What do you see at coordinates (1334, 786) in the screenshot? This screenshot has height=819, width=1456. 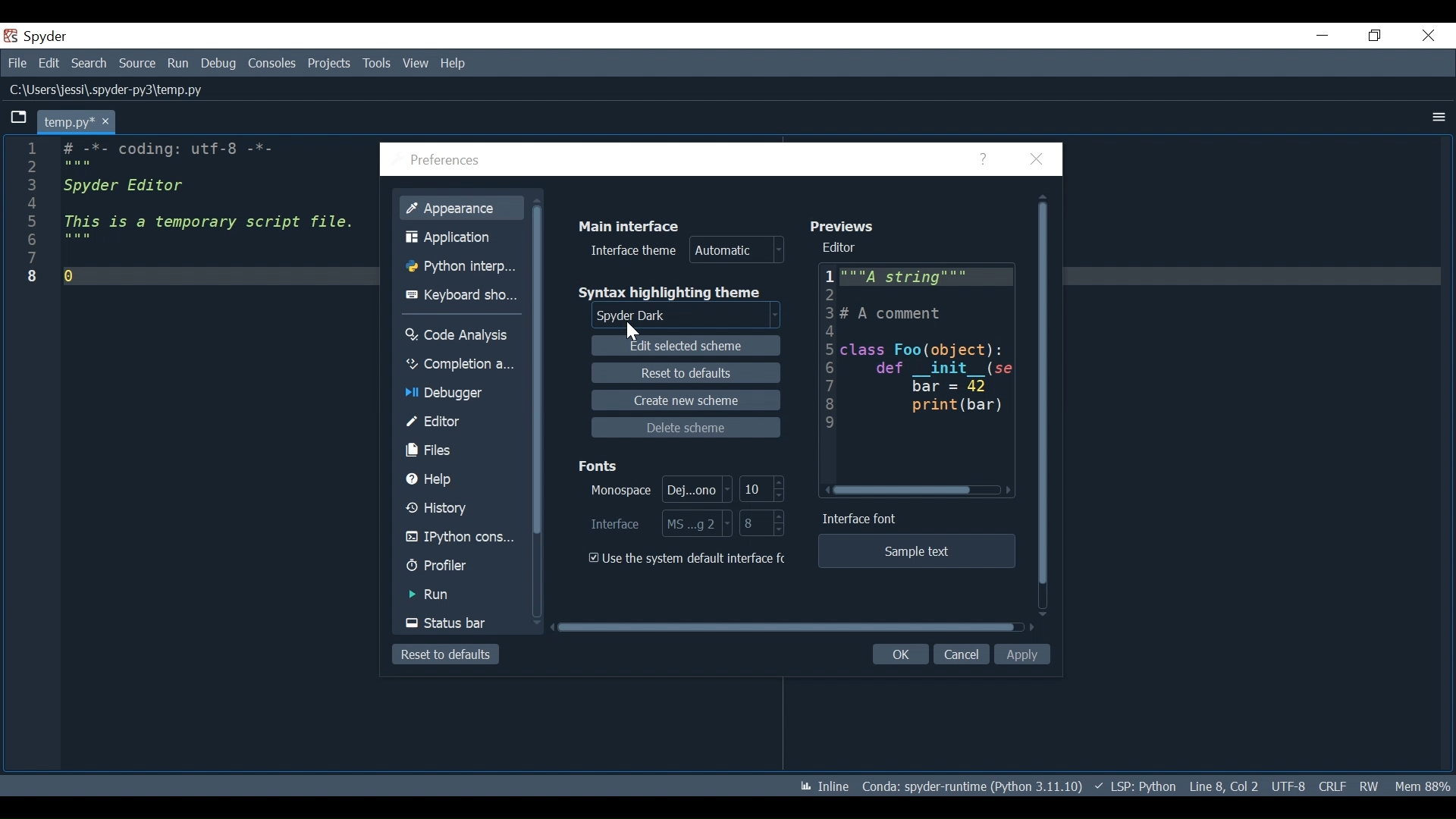 I see `File EQL Status` at bounding box center [1334, 786].